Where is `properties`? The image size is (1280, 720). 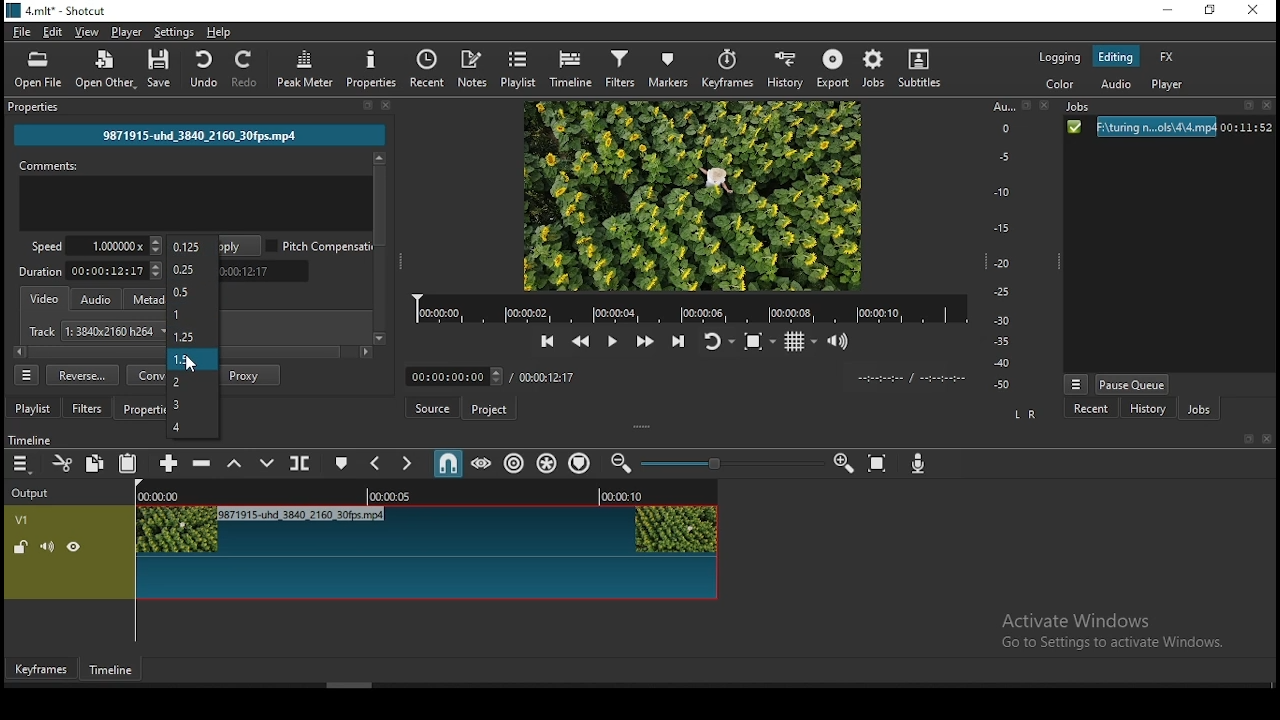 properties is located at coordinates (141, 408).